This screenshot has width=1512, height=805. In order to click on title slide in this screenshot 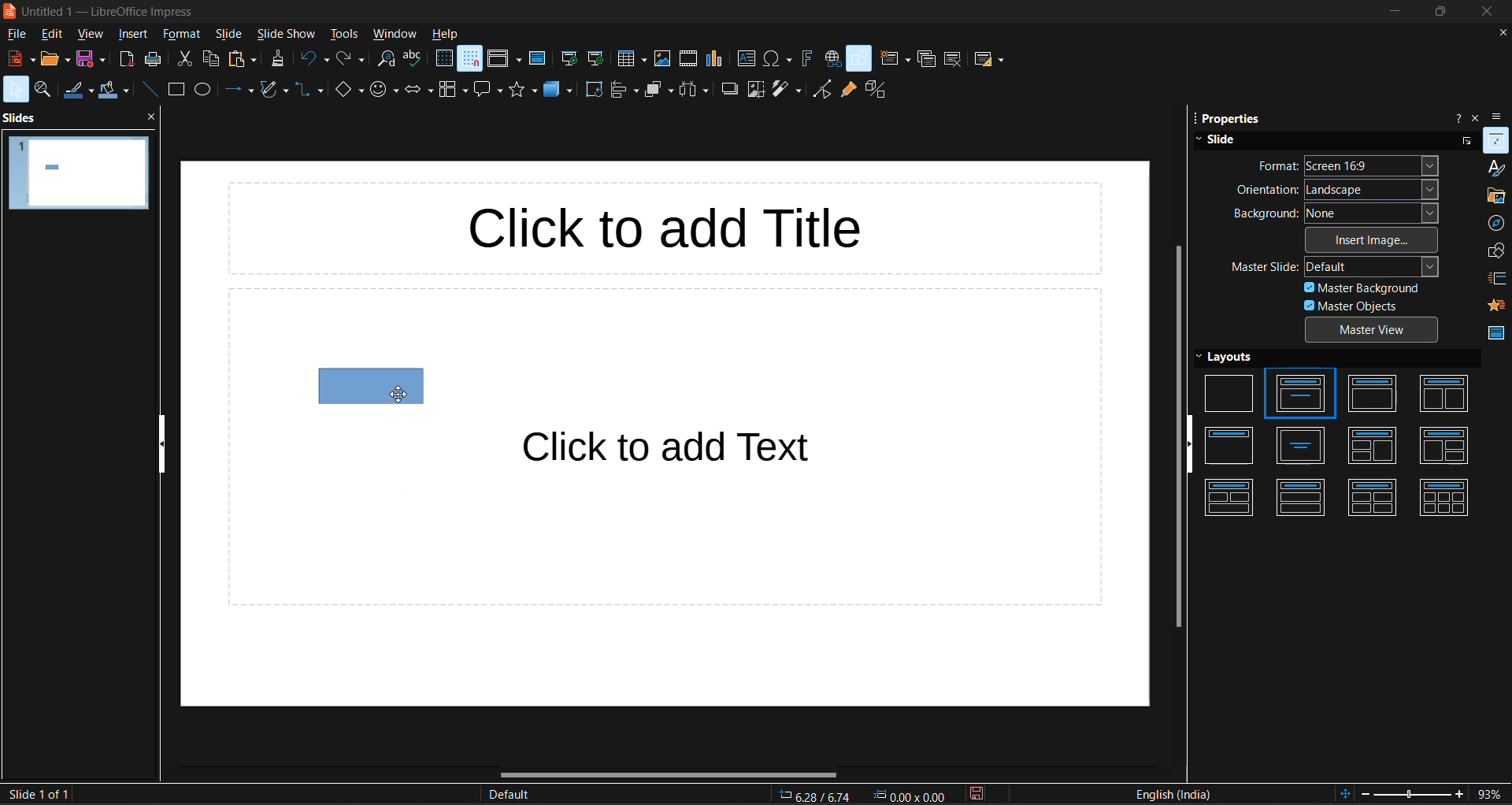, I will do `click(1302, 395)`.